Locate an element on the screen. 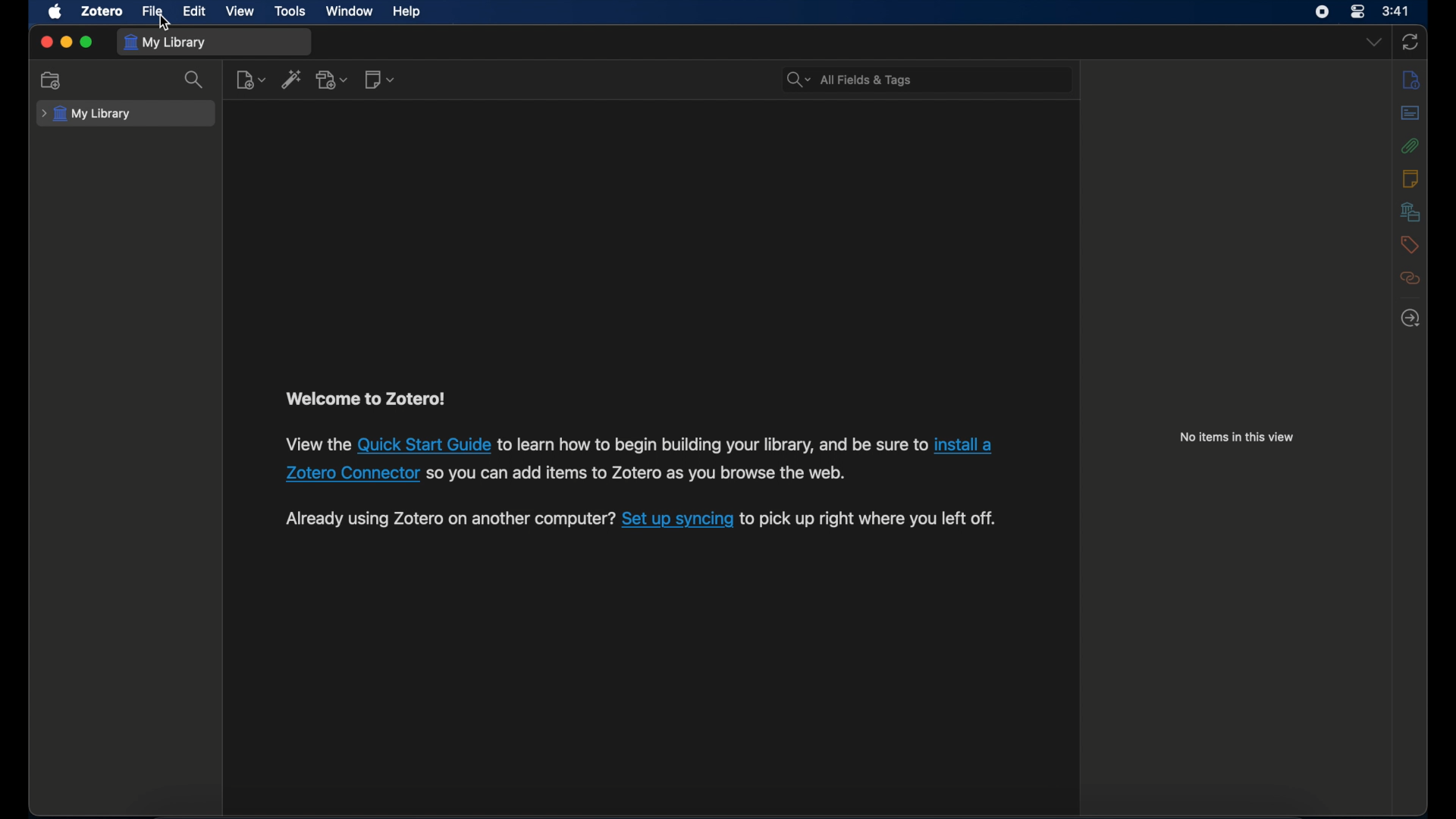 The width and height of the screenshot is (1456, 819). add attachment is located at coordinates (332, 80).